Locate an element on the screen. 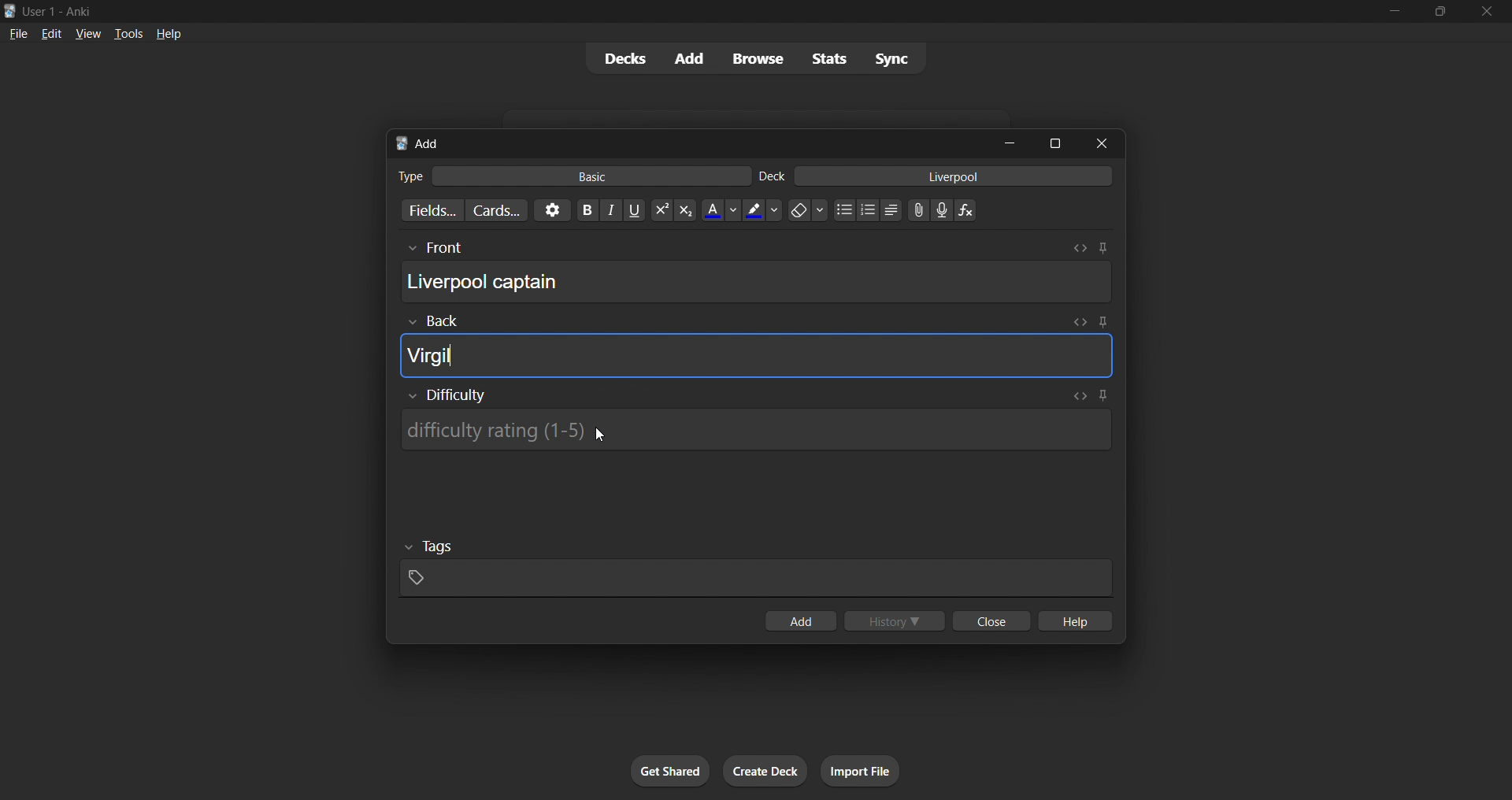  add is located at coordinates (691, 59).